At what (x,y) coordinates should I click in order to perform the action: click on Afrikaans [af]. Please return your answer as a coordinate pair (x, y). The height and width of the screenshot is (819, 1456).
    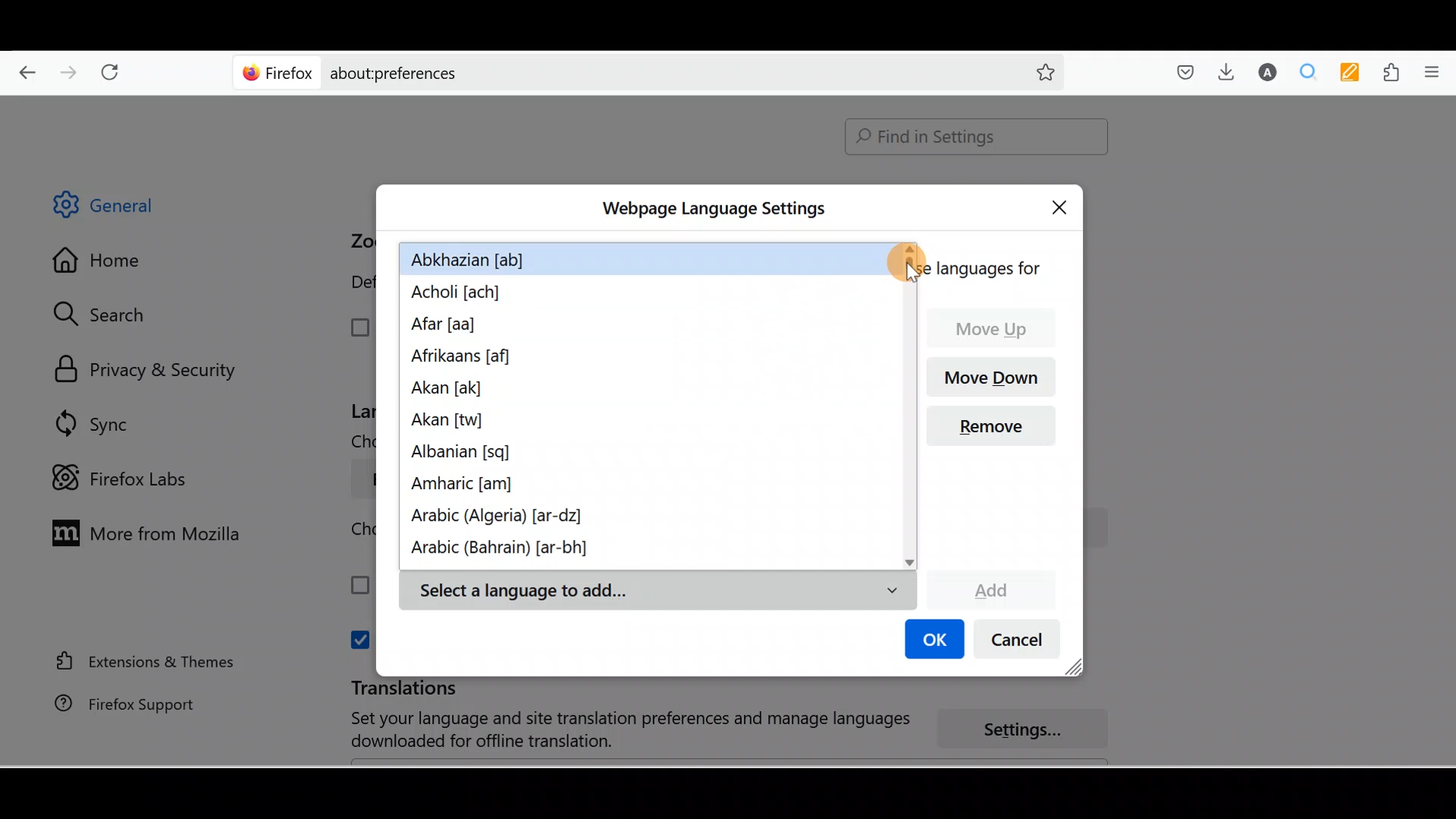
    Looking at the image, I should click on (460, 357).